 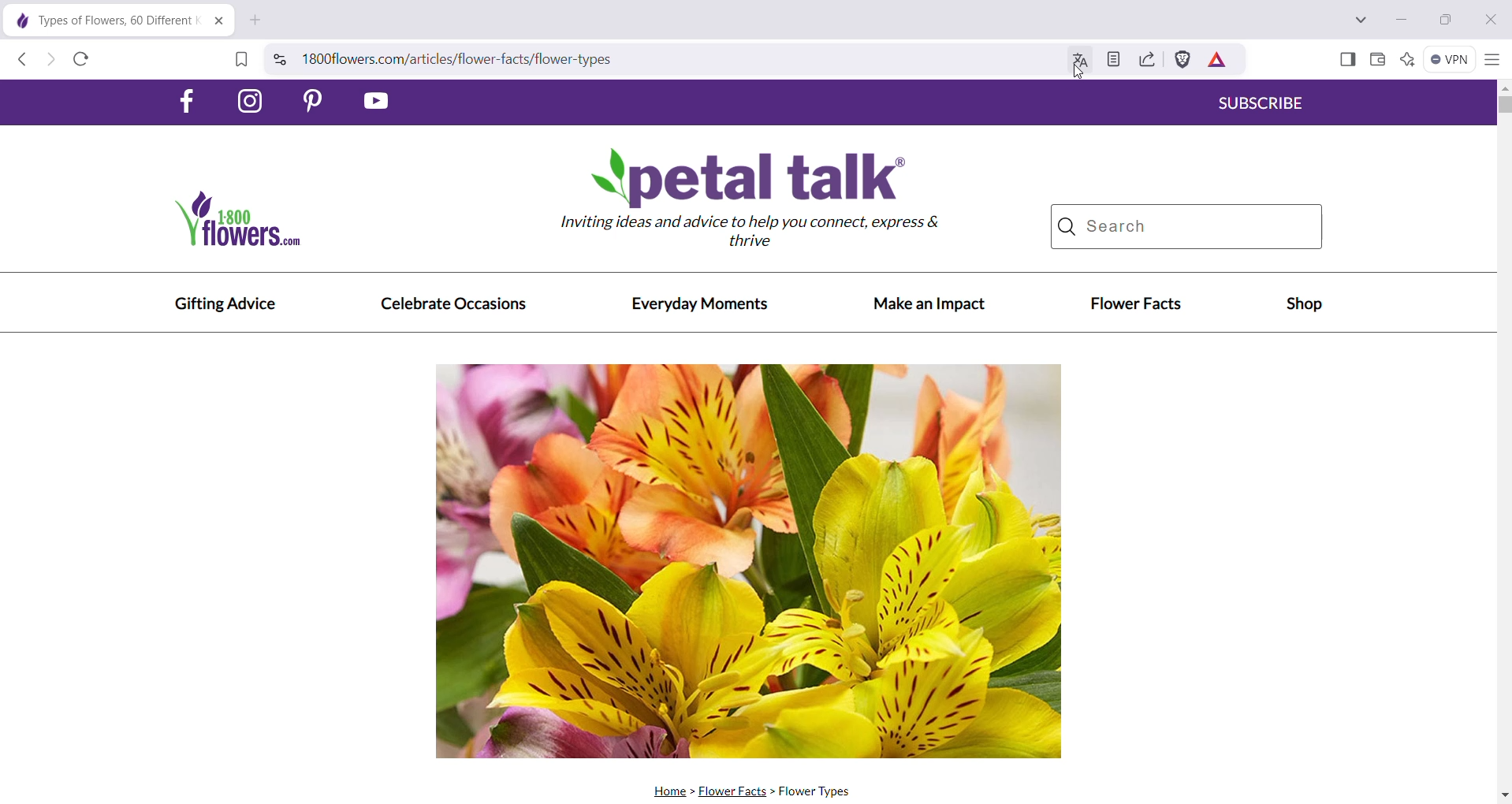 What do you see at coordinates (1493, 20) in the screenshot?
I see `Close` at bounding box center [1493, 20].